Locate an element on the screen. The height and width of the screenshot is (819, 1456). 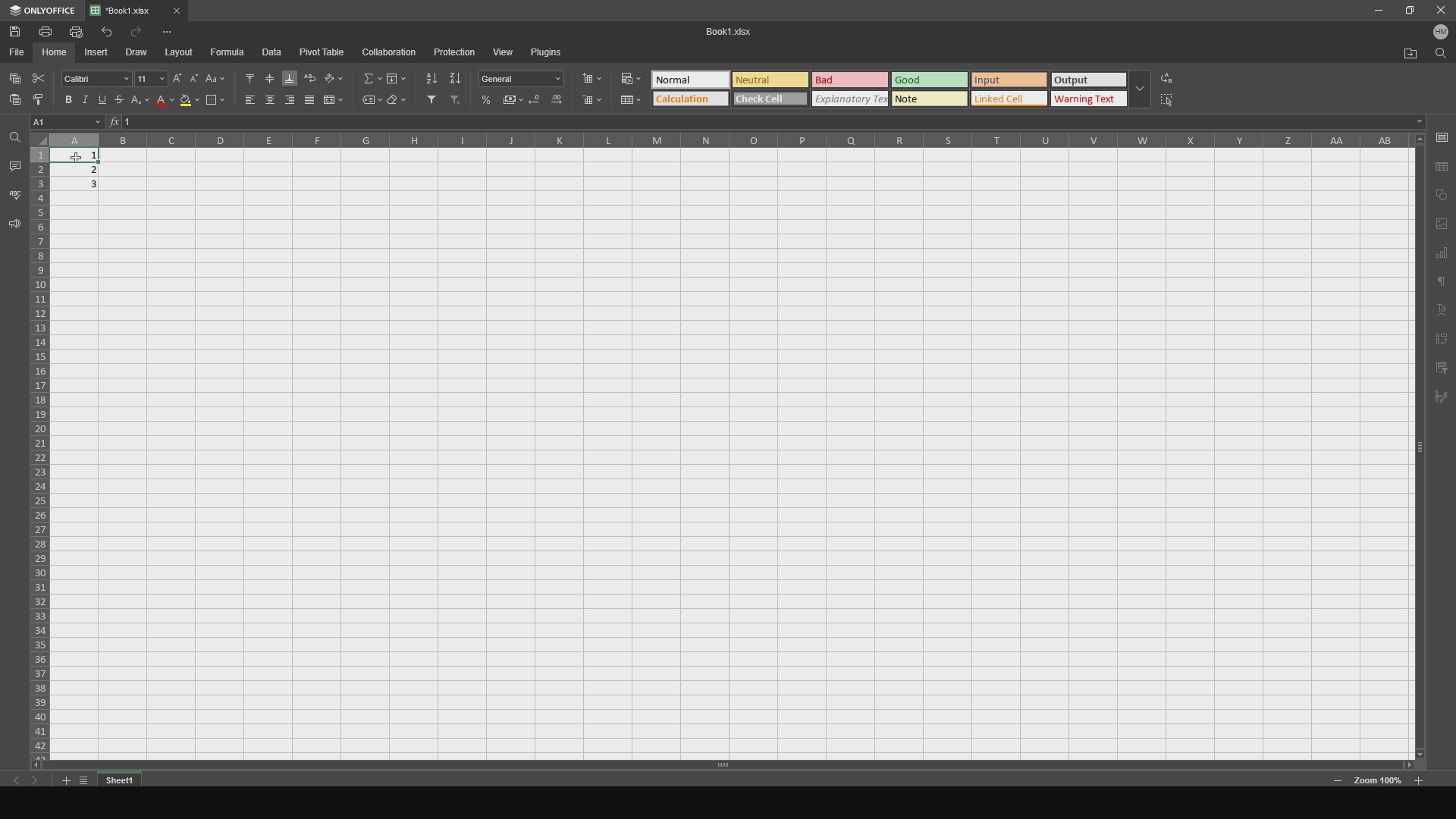
orientation is located at coordinates (336, 77).